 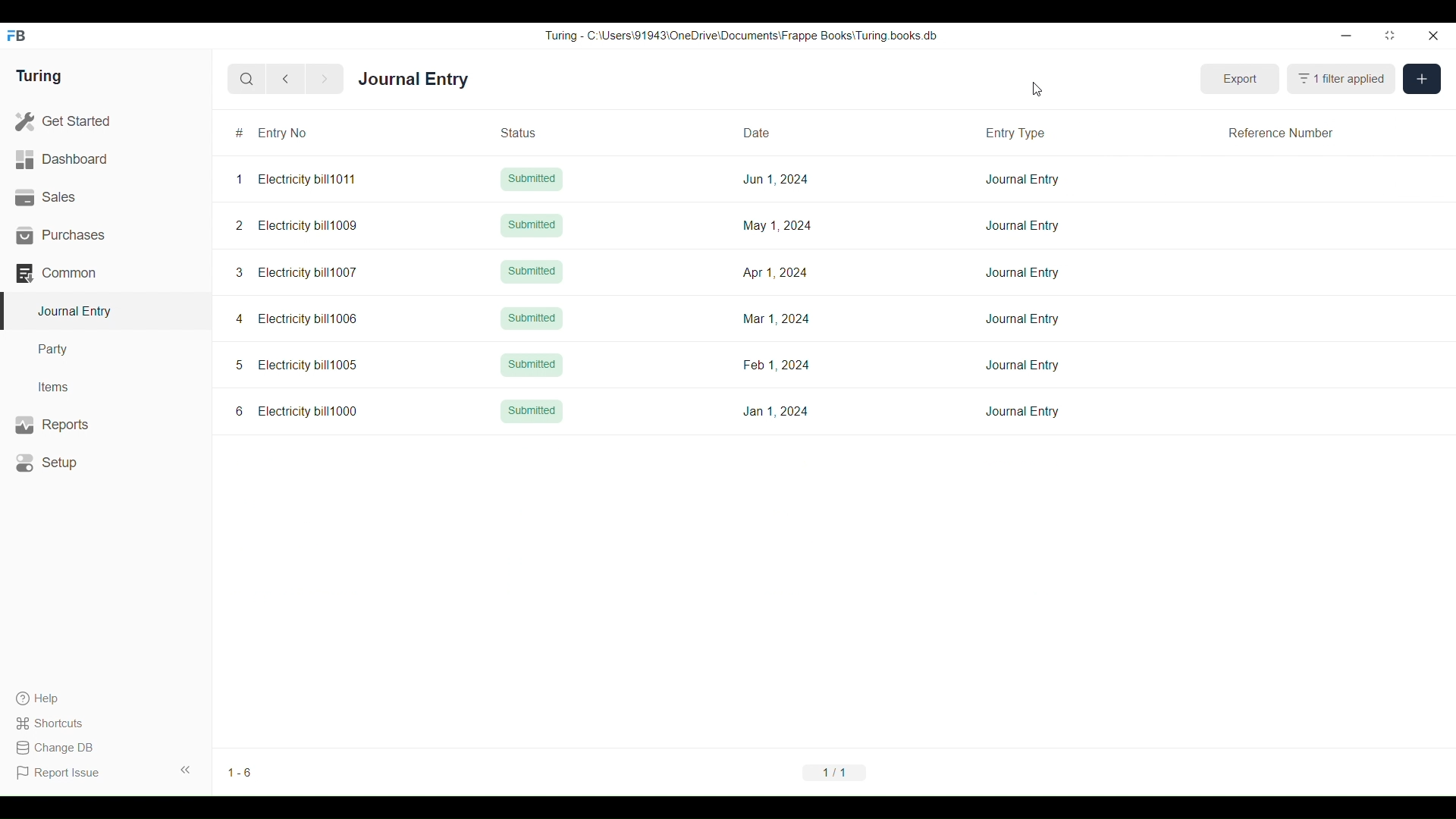 What do you see at coordinates (1023, 412) in the screenshot?
I see `Journal Entry` at bounding box center [1023, 412].